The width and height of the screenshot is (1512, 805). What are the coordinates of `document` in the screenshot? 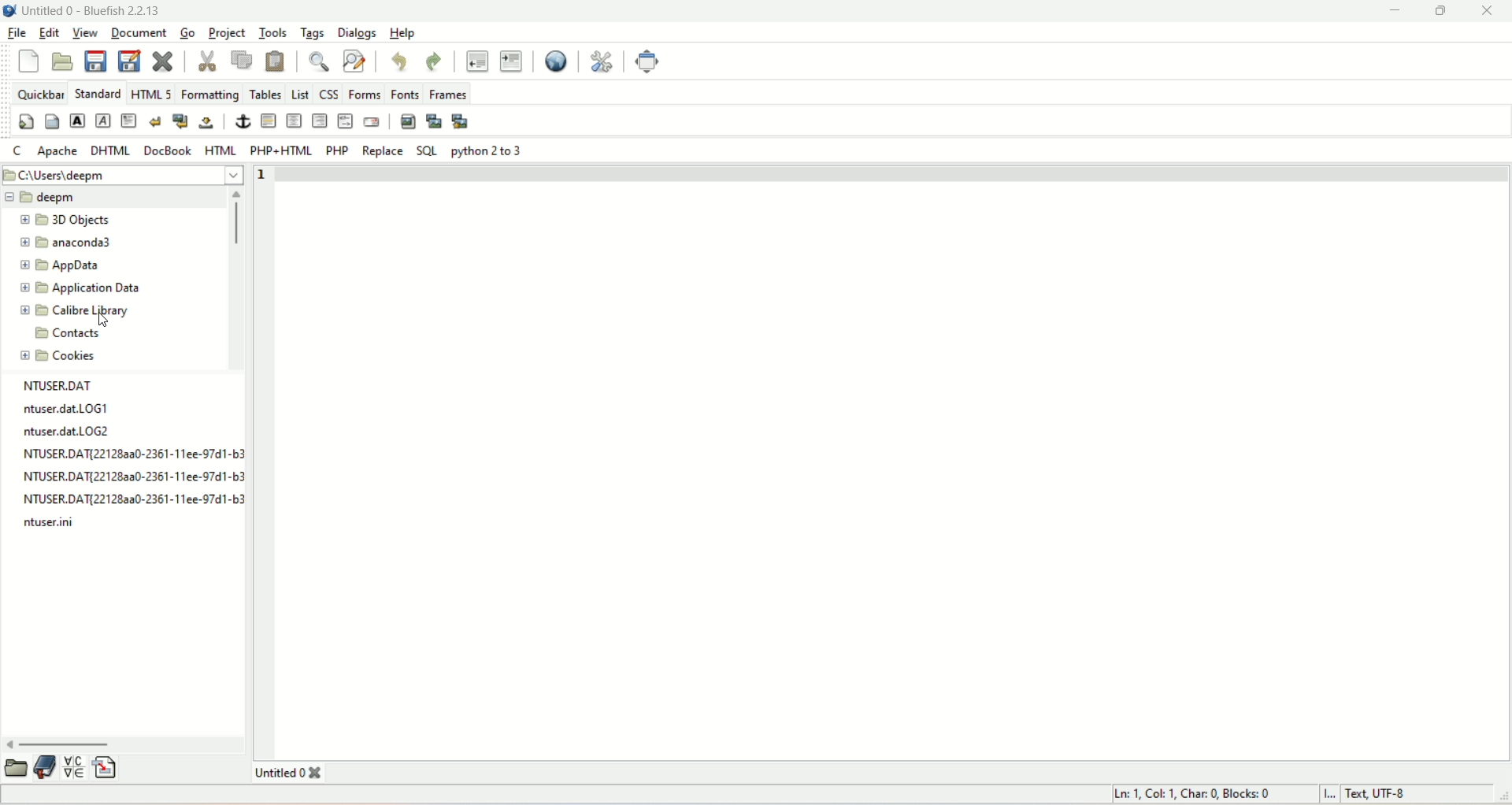 It's located at (137, 34).